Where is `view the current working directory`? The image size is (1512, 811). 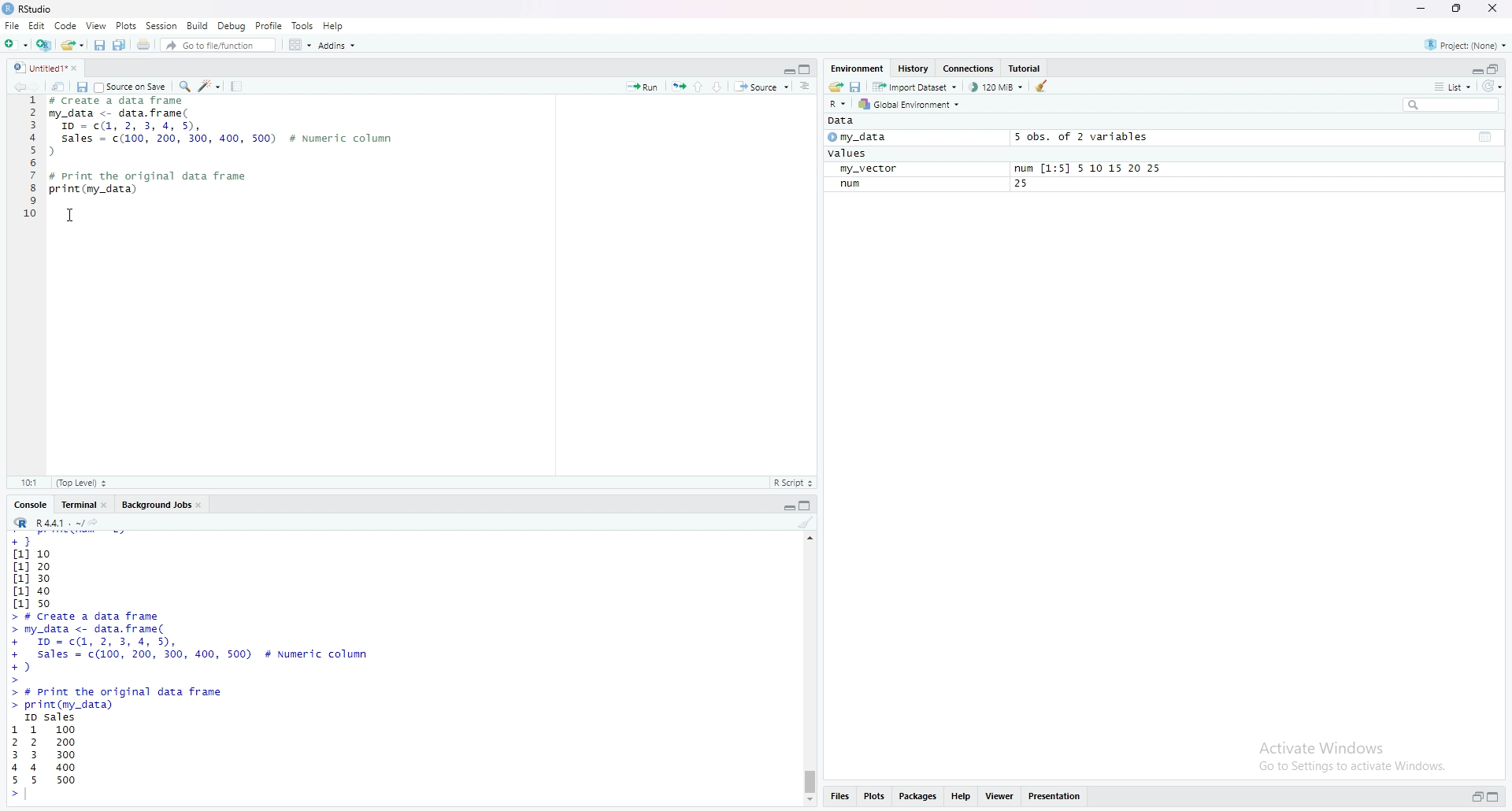
view the current working directory is located at coordinates (104, 524).